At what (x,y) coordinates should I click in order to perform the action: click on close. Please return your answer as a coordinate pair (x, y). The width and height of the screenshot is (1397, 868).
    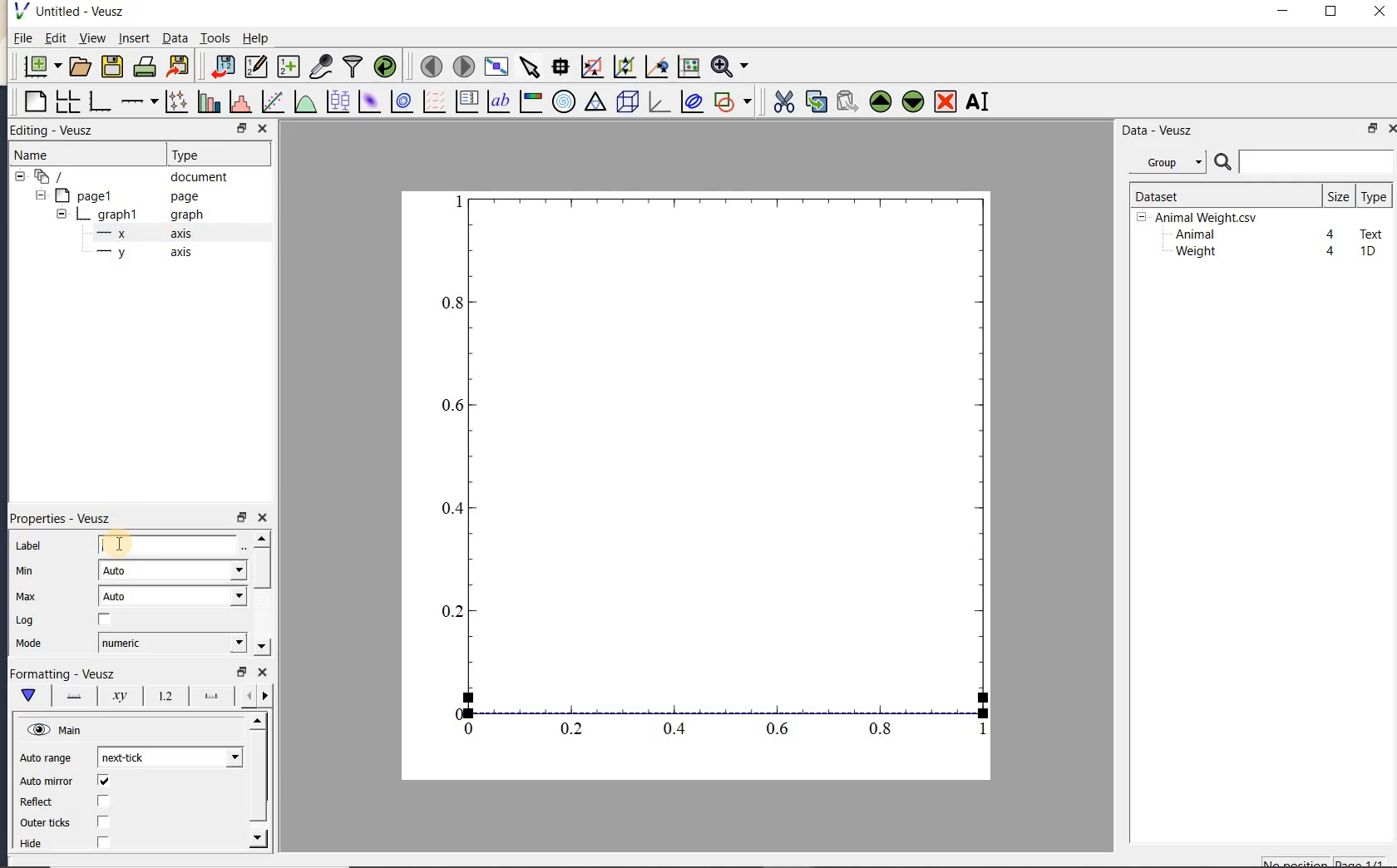
    Looking at the image, I should click on (1391, 129).